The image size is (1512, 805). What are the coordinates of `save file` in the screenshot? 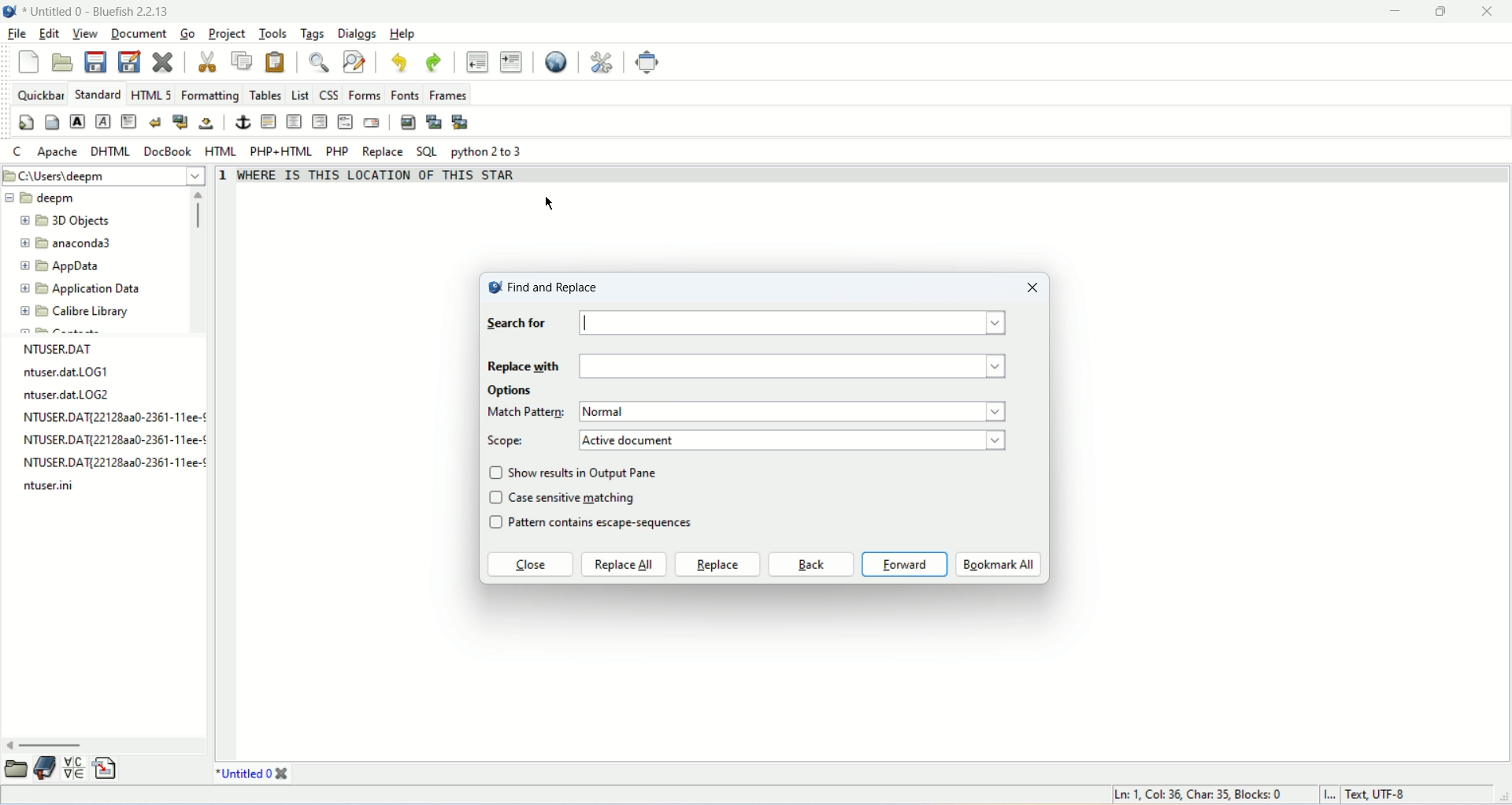 It's located at (98, 62).